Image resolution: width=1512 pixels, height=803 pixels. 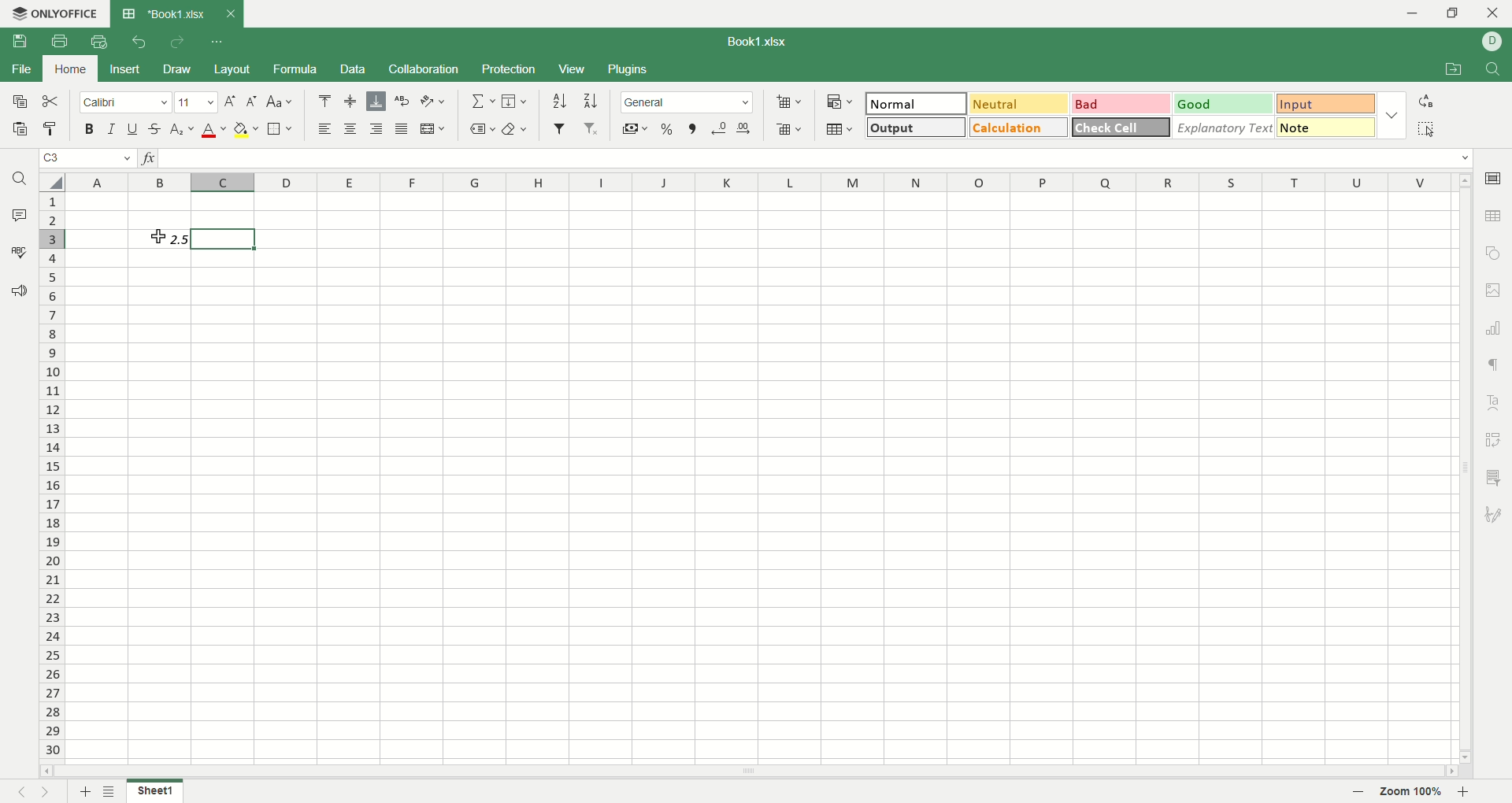 What do you see at coordinates (790, 103) in the screenshot?
I see `insert cell` at bounding box center [790, 103].